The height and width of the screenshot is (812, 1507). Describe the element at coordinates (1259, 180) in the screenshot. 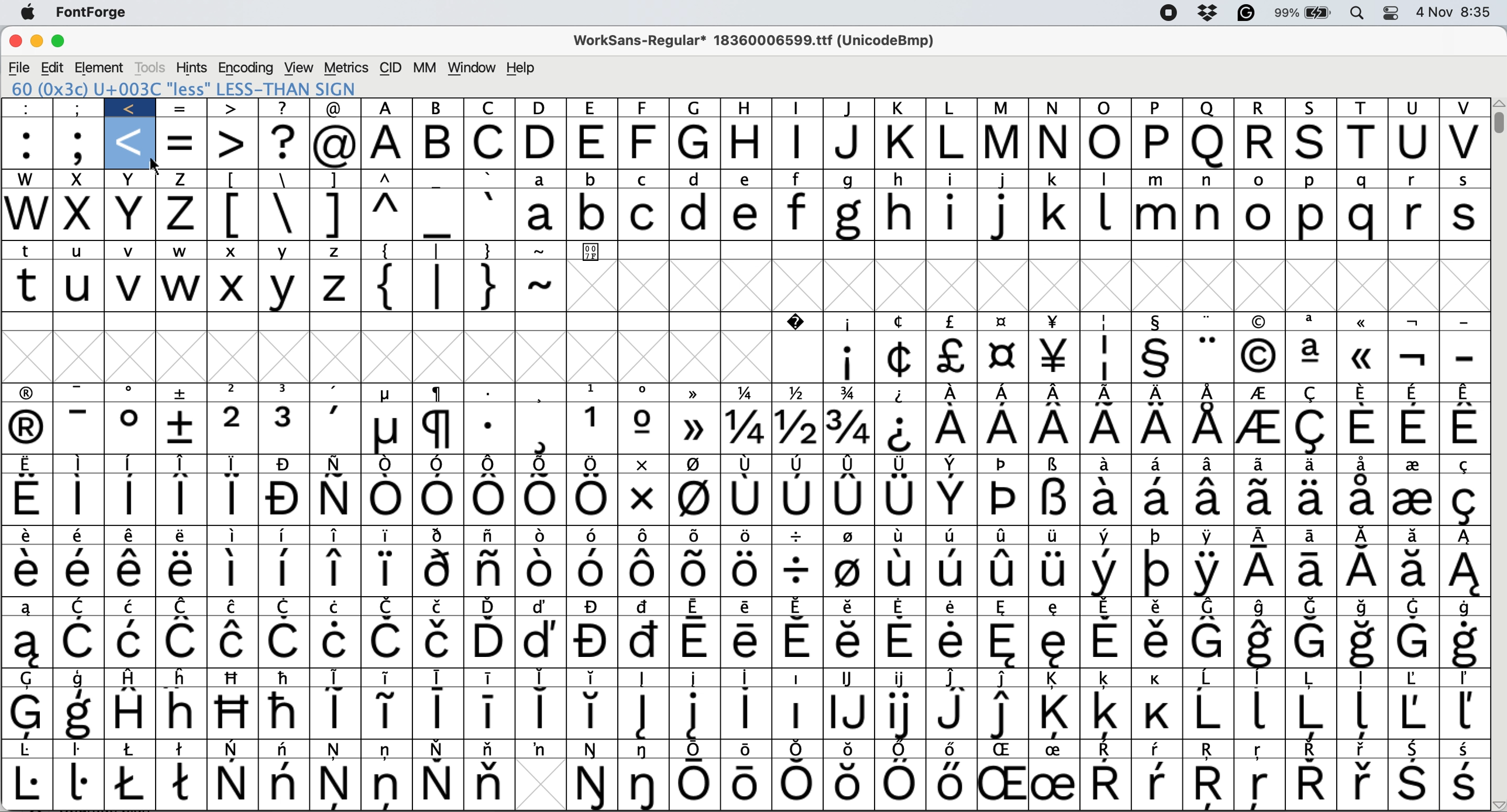

I see `o` at that location.